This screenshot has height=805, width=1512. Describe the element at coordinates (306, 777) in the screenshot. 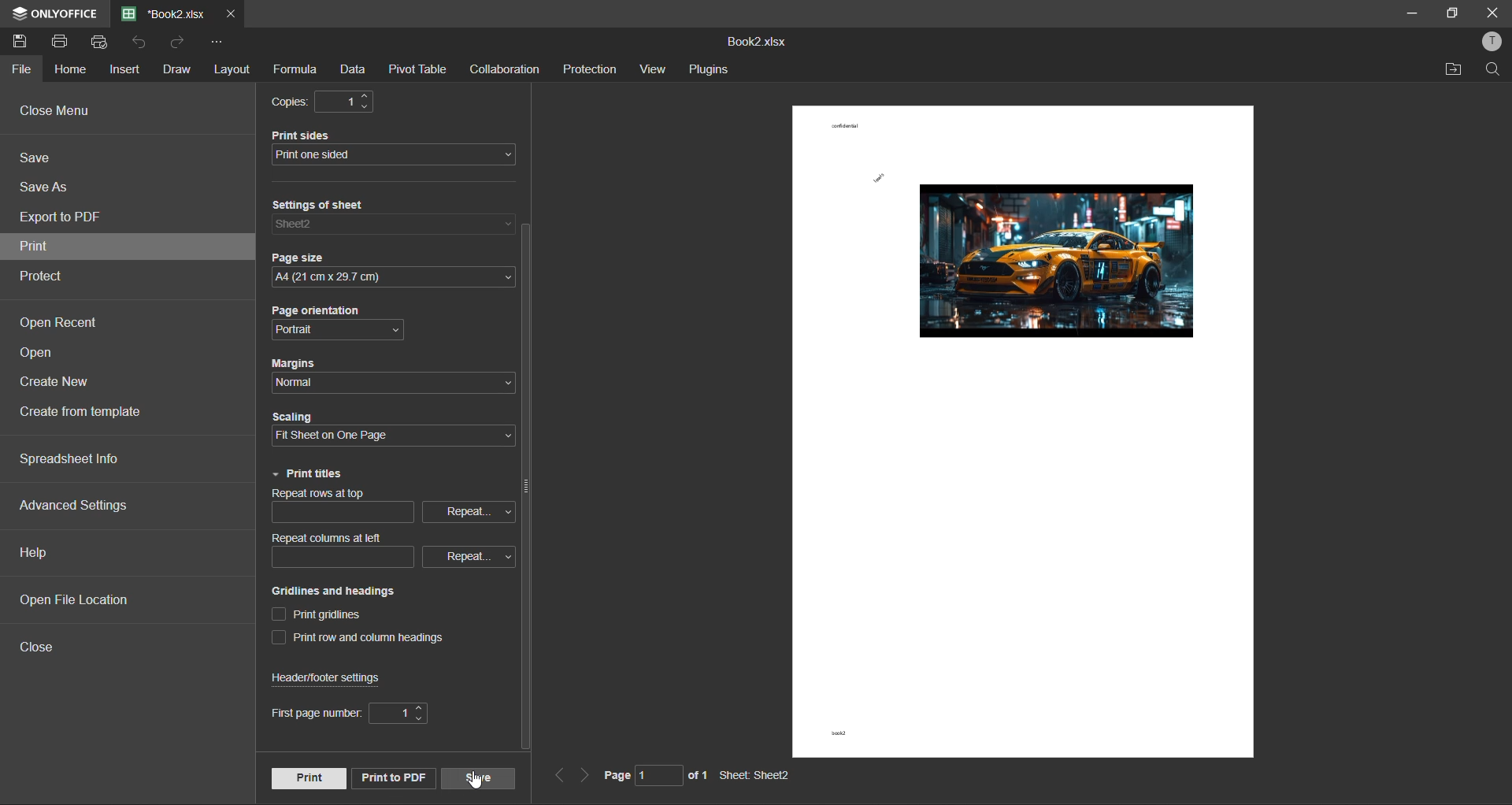

I see `print` at that location.